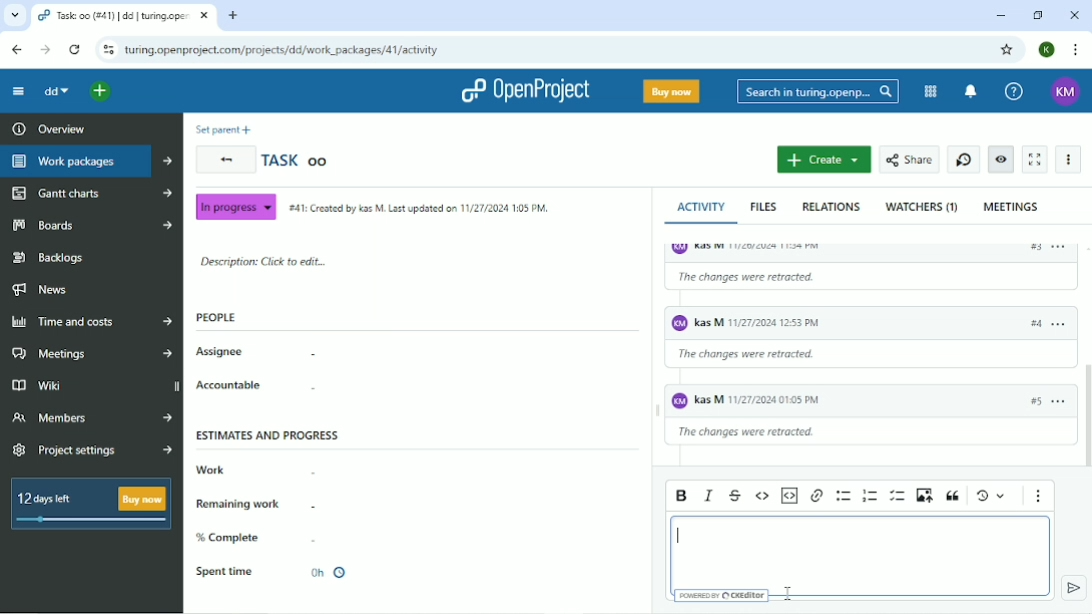  Describe the element at coordinates (705, 207) in the screenshot. I see `Activity` at that location.